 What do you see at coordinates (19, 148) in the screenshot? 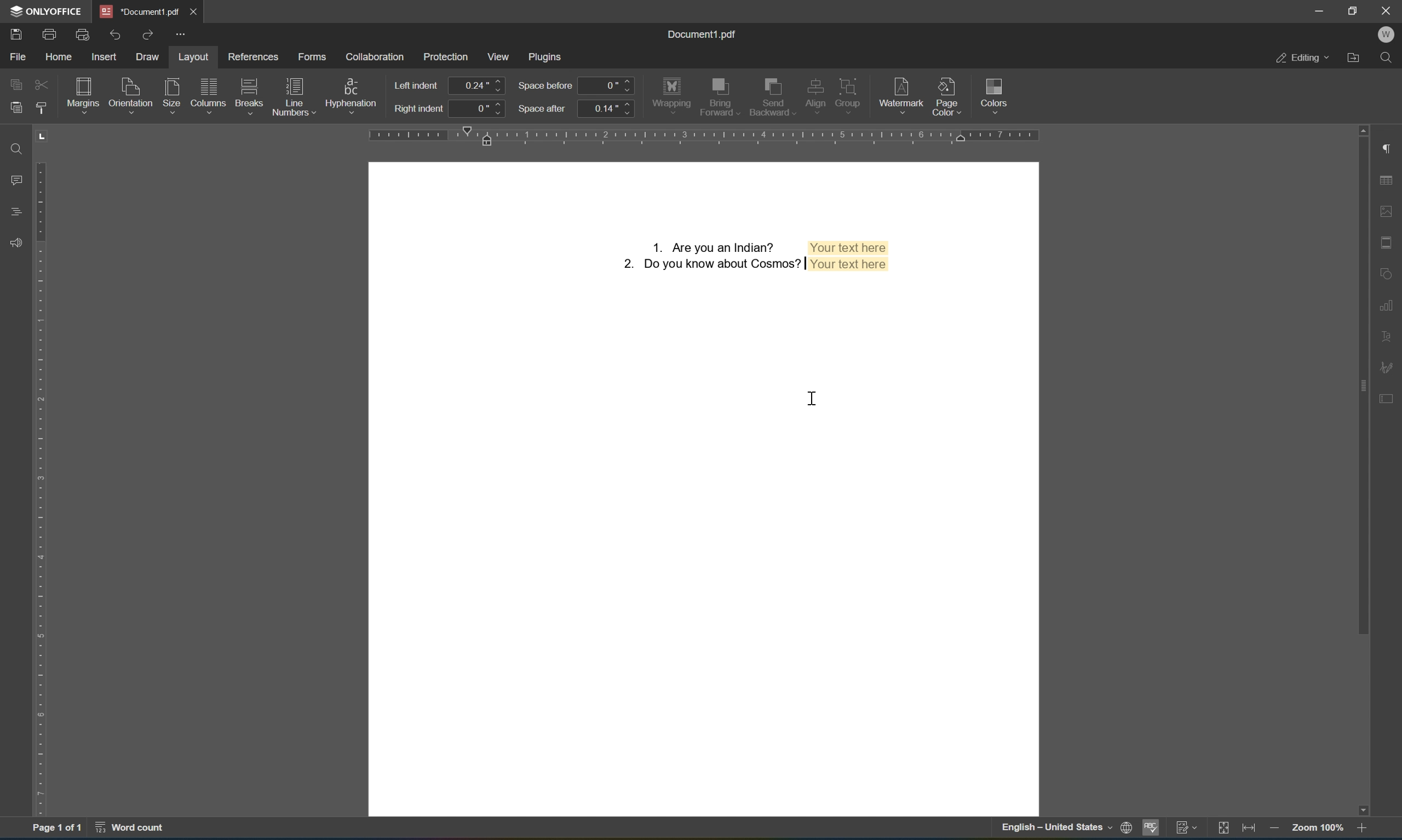
I see `find` at bounding box center [19, 148].